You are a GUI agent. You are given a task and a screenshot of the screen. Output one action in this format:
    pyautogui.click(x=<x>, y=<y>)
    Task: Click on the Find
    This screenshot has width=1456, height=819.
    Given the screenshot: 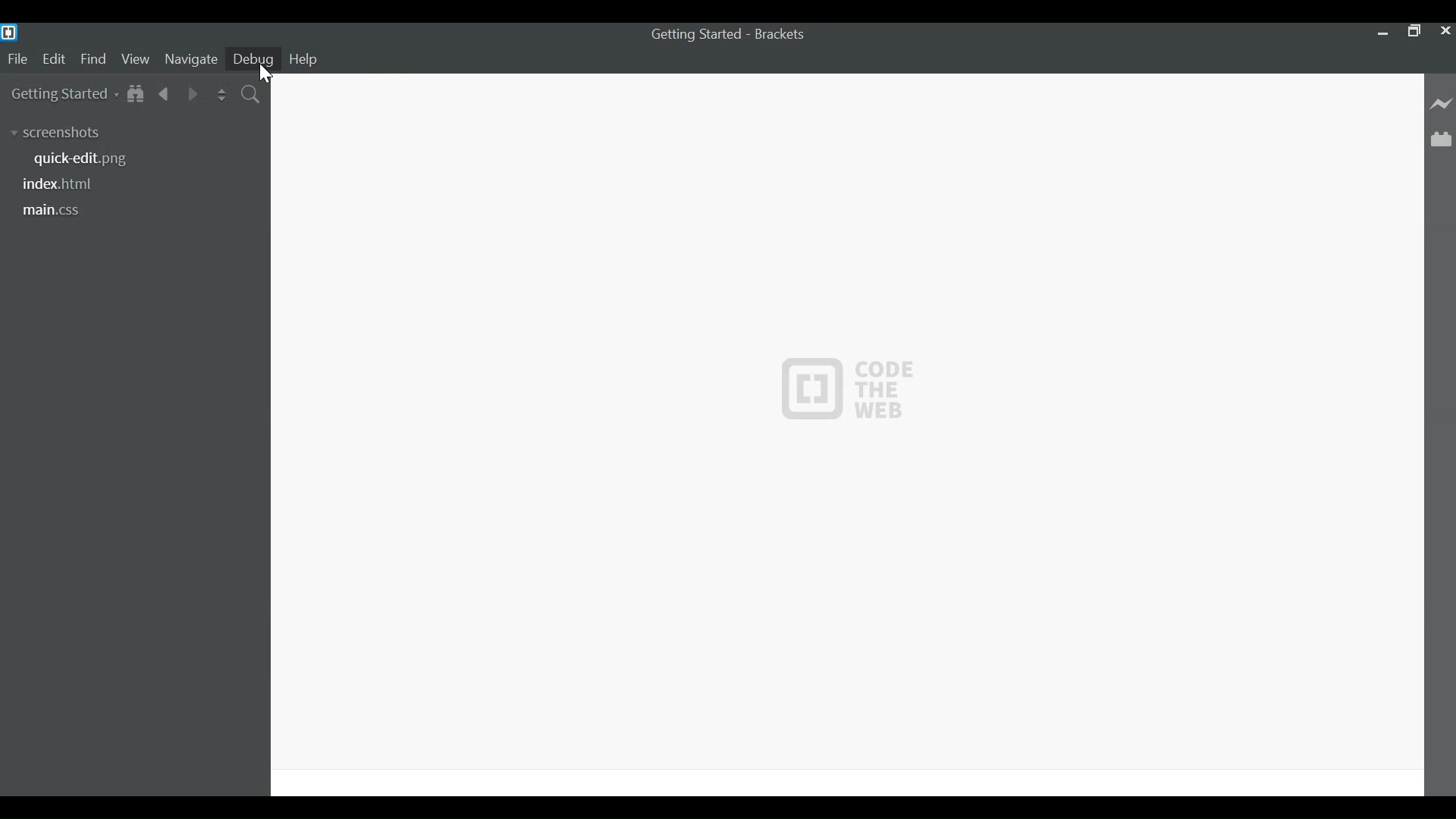 What is the action you would take?
    pyautogui.click(x=93, y=60)
    